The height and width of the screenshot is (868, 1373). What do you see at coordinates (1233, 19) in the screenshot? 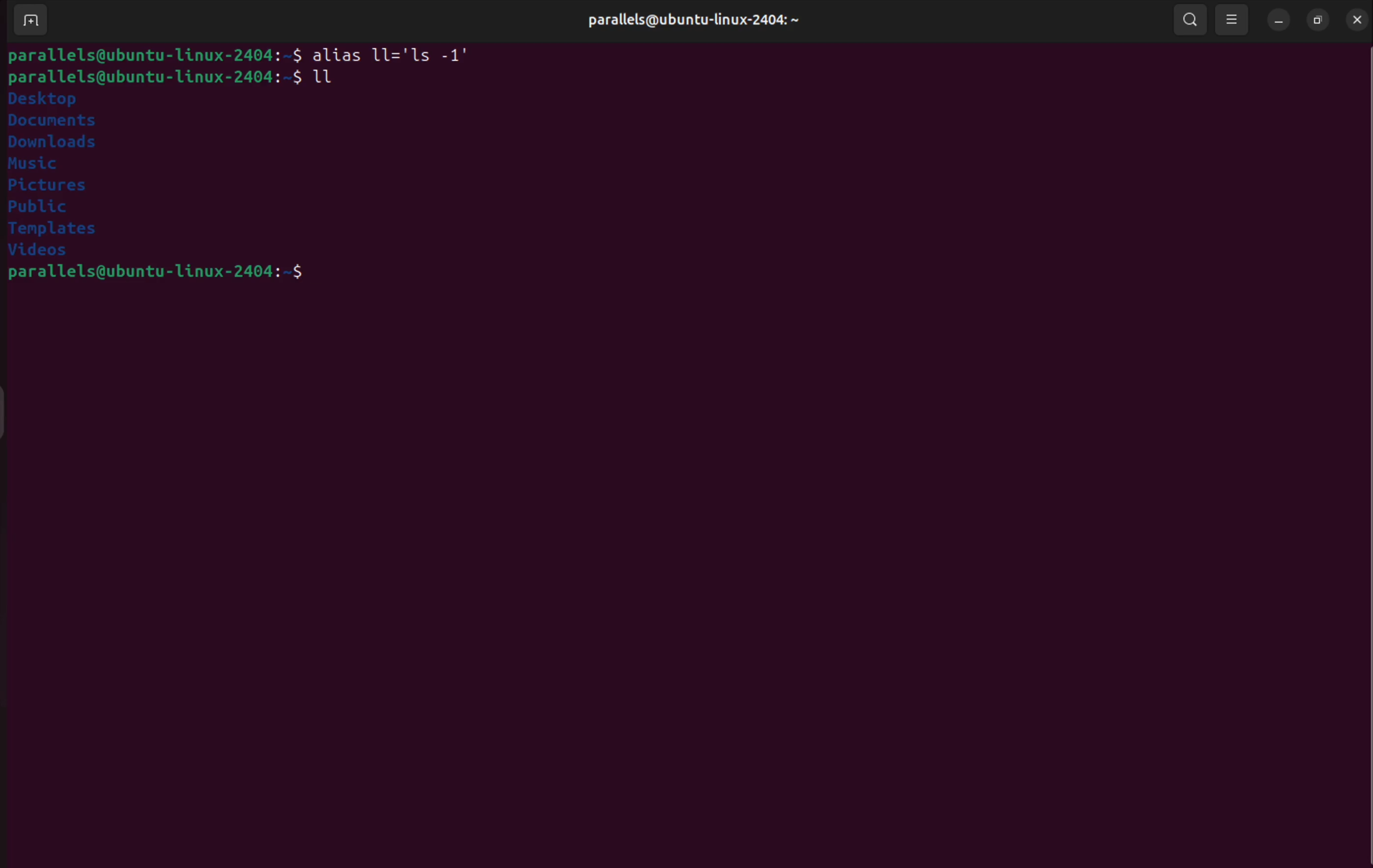
I see `view options` at bounding box center [1233, 19].